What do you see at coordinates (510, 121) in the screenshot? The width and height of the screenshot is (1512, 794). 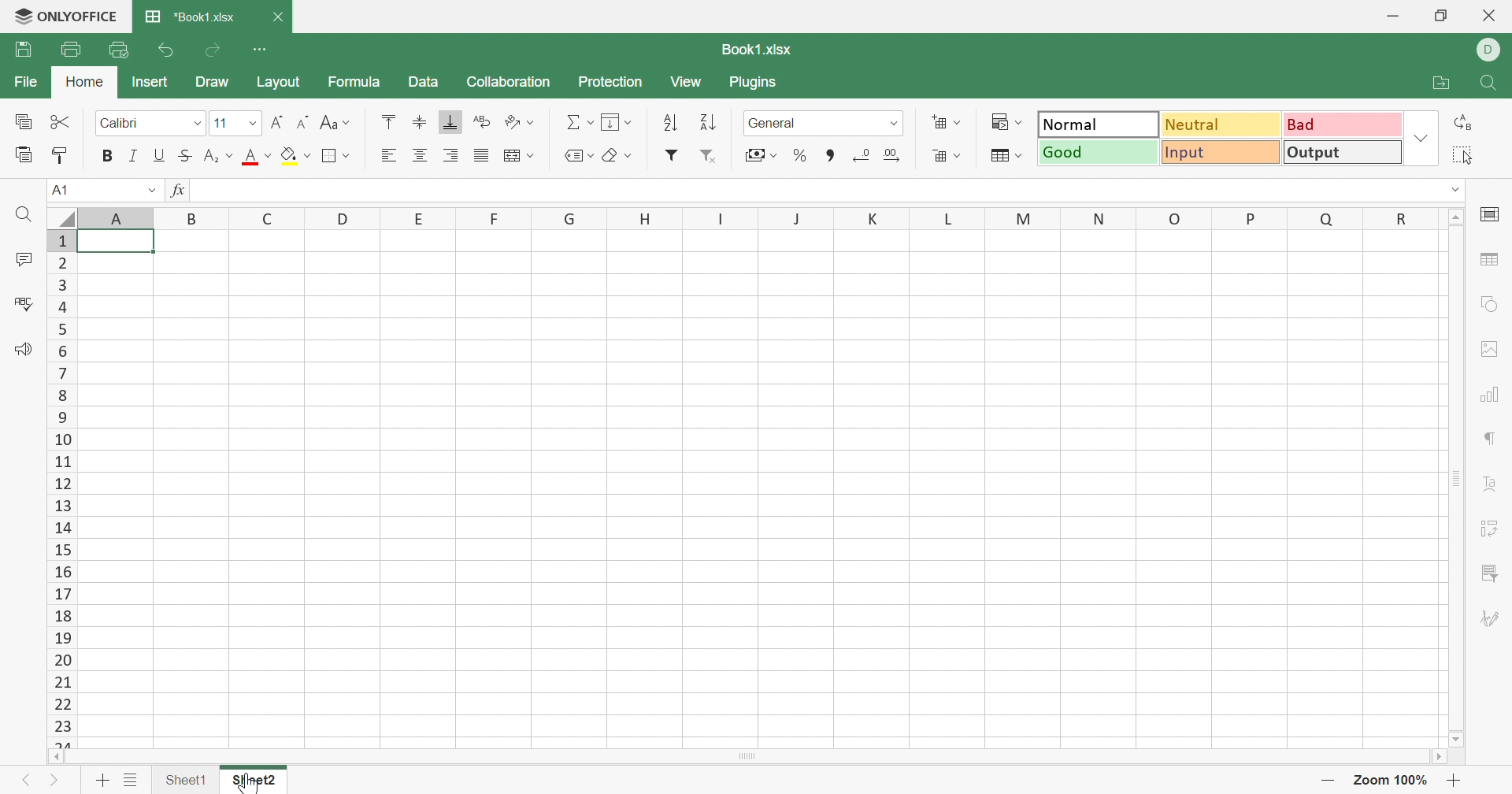 I see `Orientation` at bounding box center [510, 121].